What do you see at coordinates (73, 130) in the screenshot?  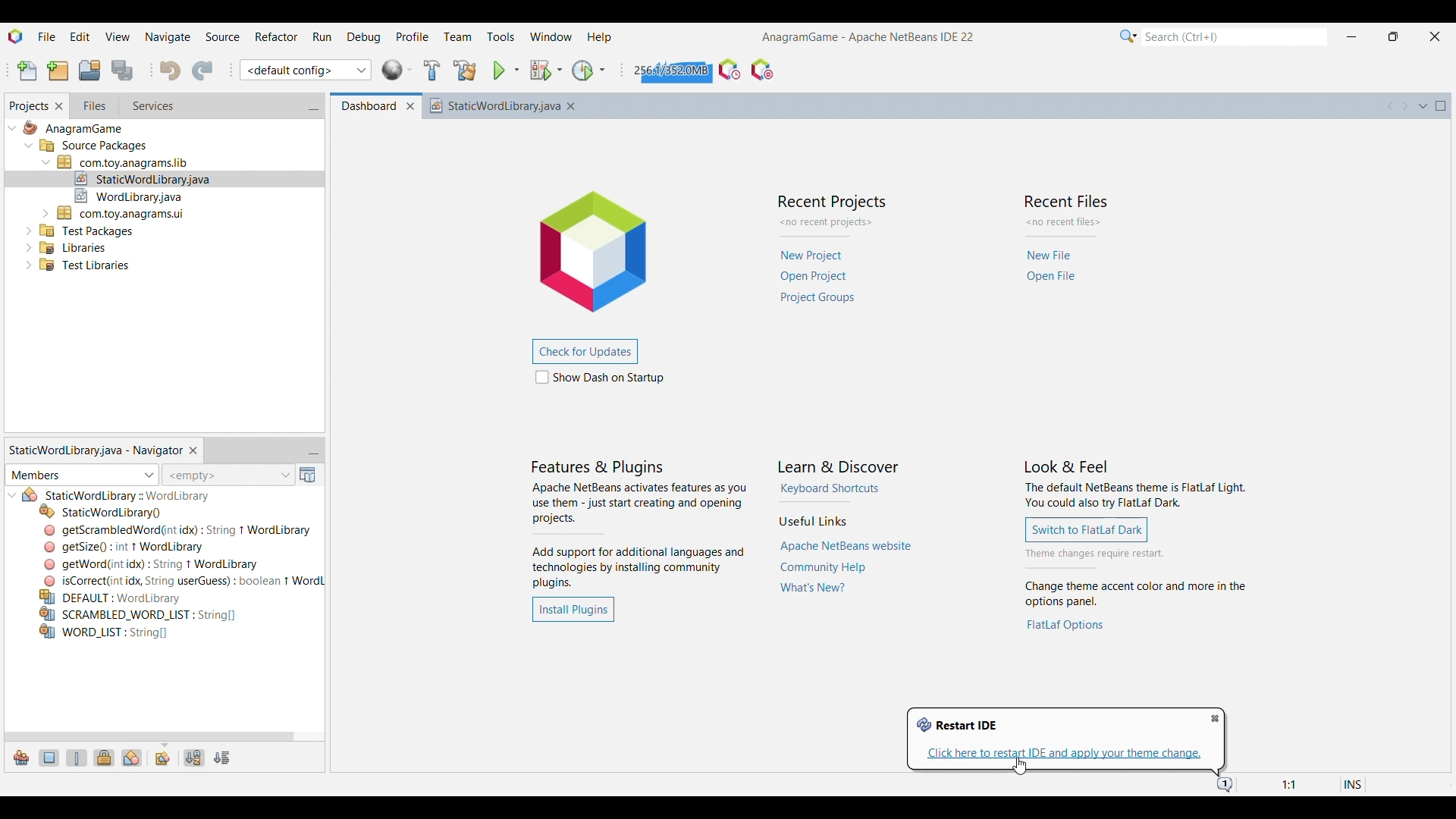 I see `` at bounding box center [73, 130].